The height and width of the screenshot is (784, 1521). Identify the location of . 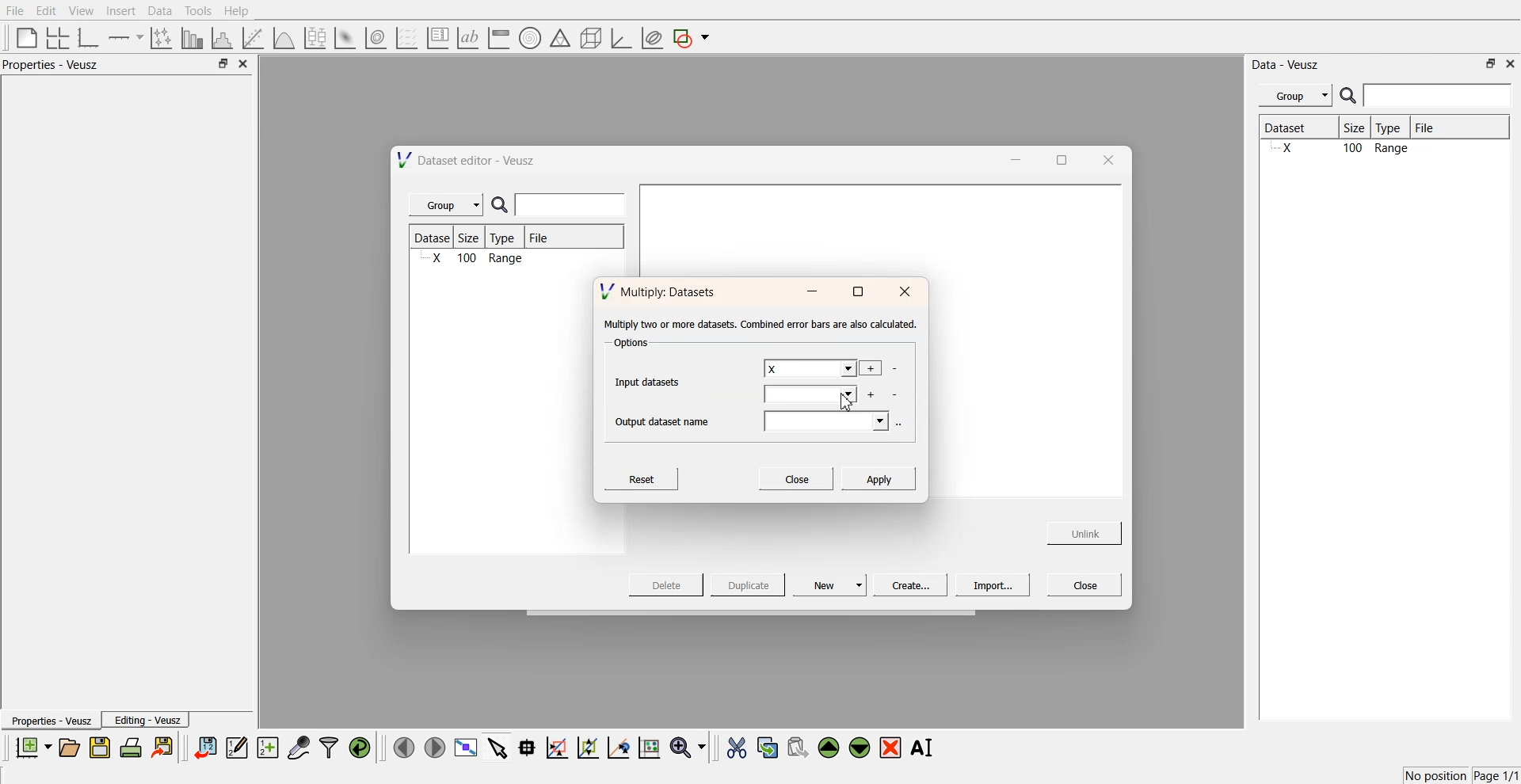
(1295, 96).